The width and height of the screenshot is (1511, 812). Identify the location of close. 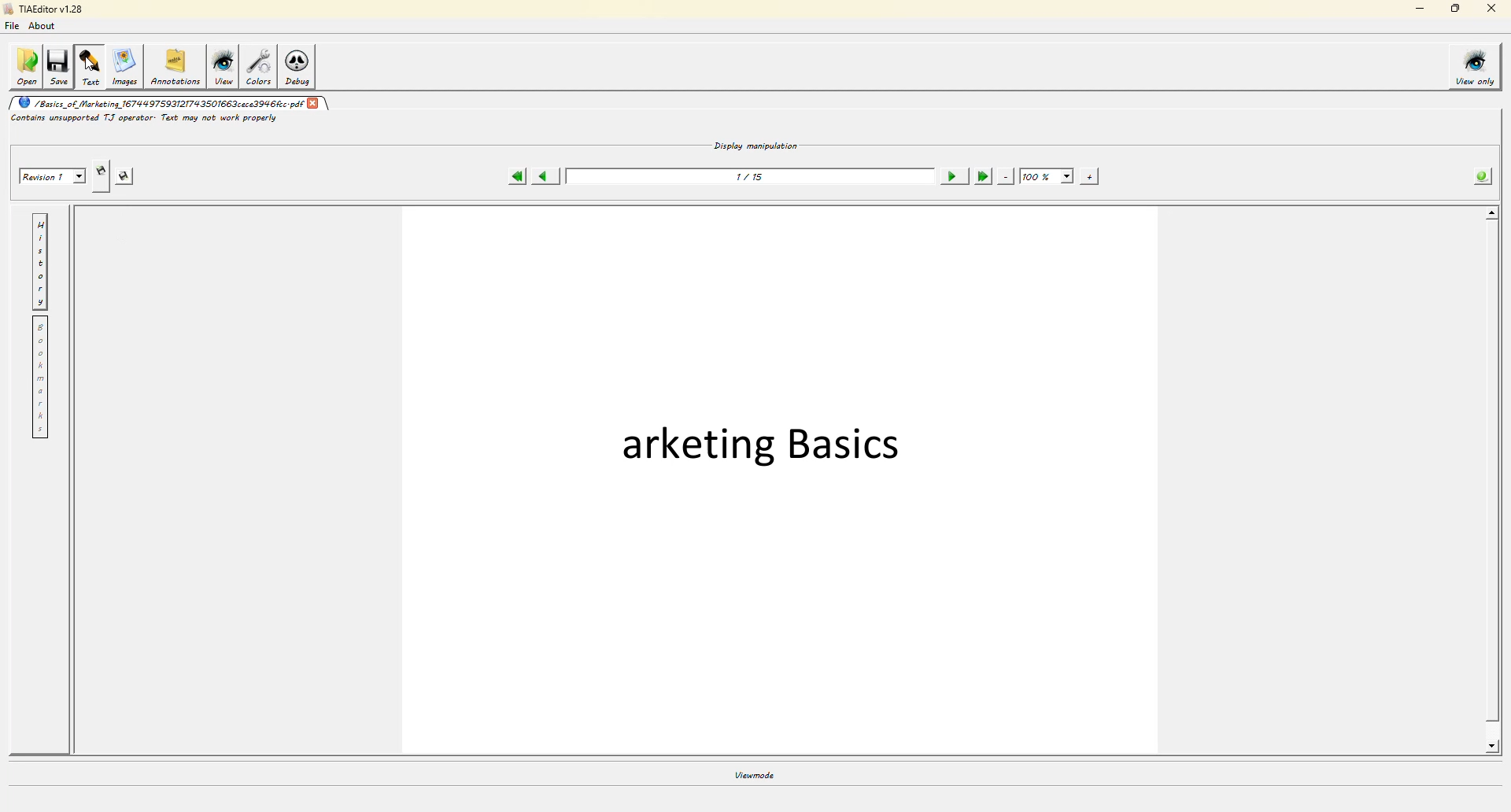
(314, 104).